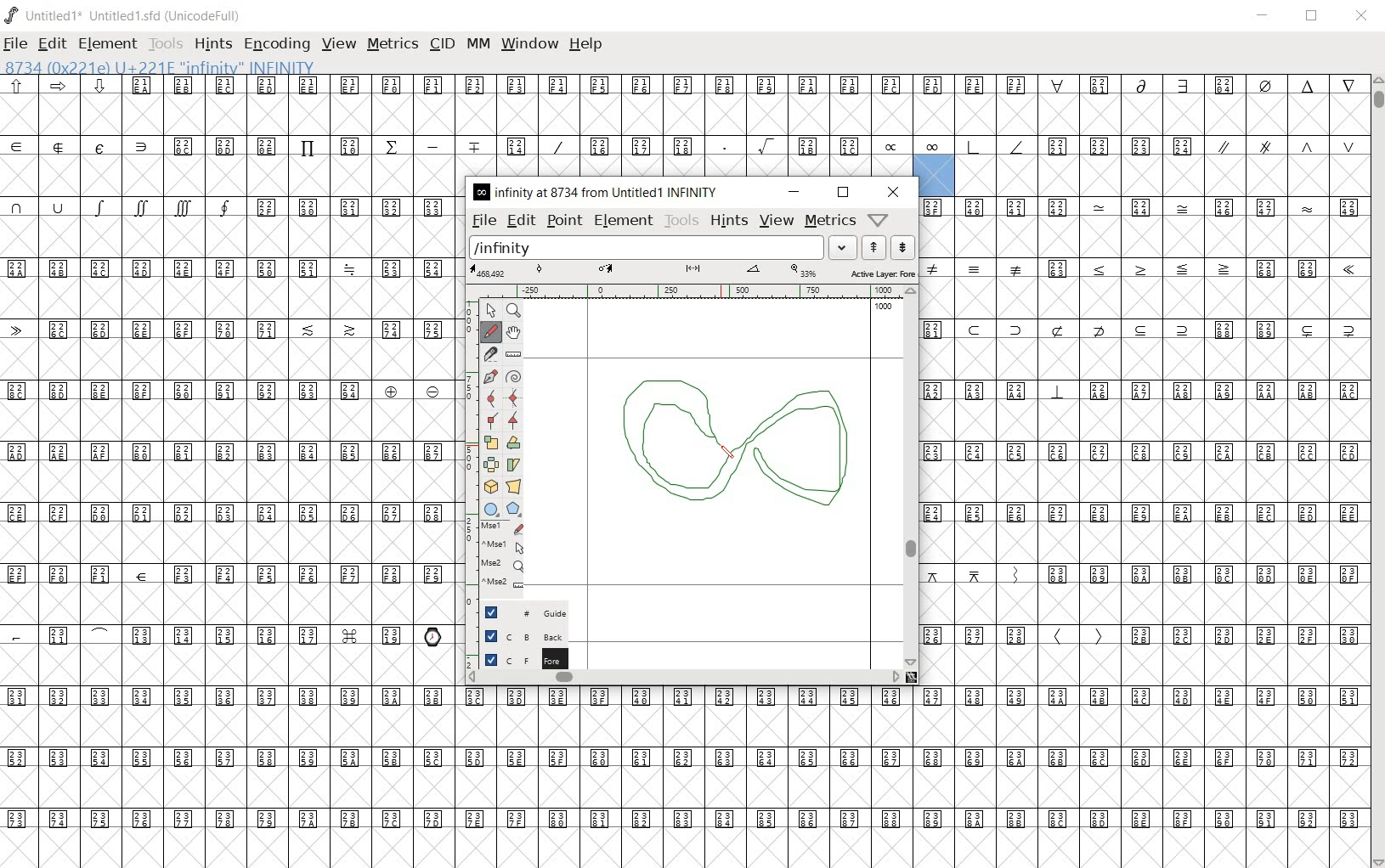 The width and height of the screenshot is (1385, 868). What do you see at coordinates (1142, 236) in the screenshot?
I see `Empty glyph slots` at bounding box center [1142, 236].